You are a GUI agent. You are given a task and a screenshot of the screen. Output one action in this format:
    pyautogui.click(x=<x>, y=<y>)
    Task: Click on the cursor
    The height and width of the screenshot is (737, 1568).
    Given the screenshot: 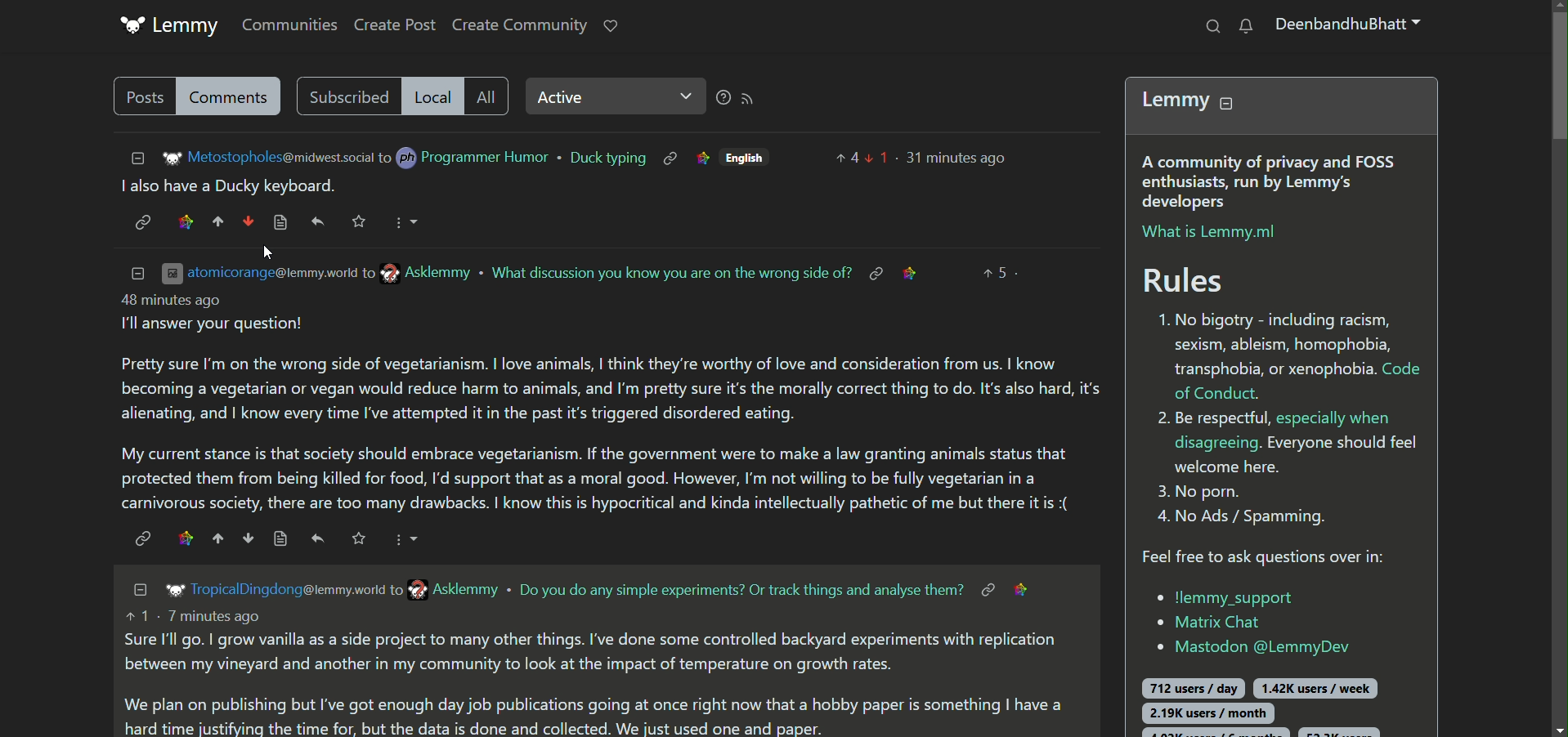 What is the action you would take?
    pyautogui.click(x=265, y=252)
    